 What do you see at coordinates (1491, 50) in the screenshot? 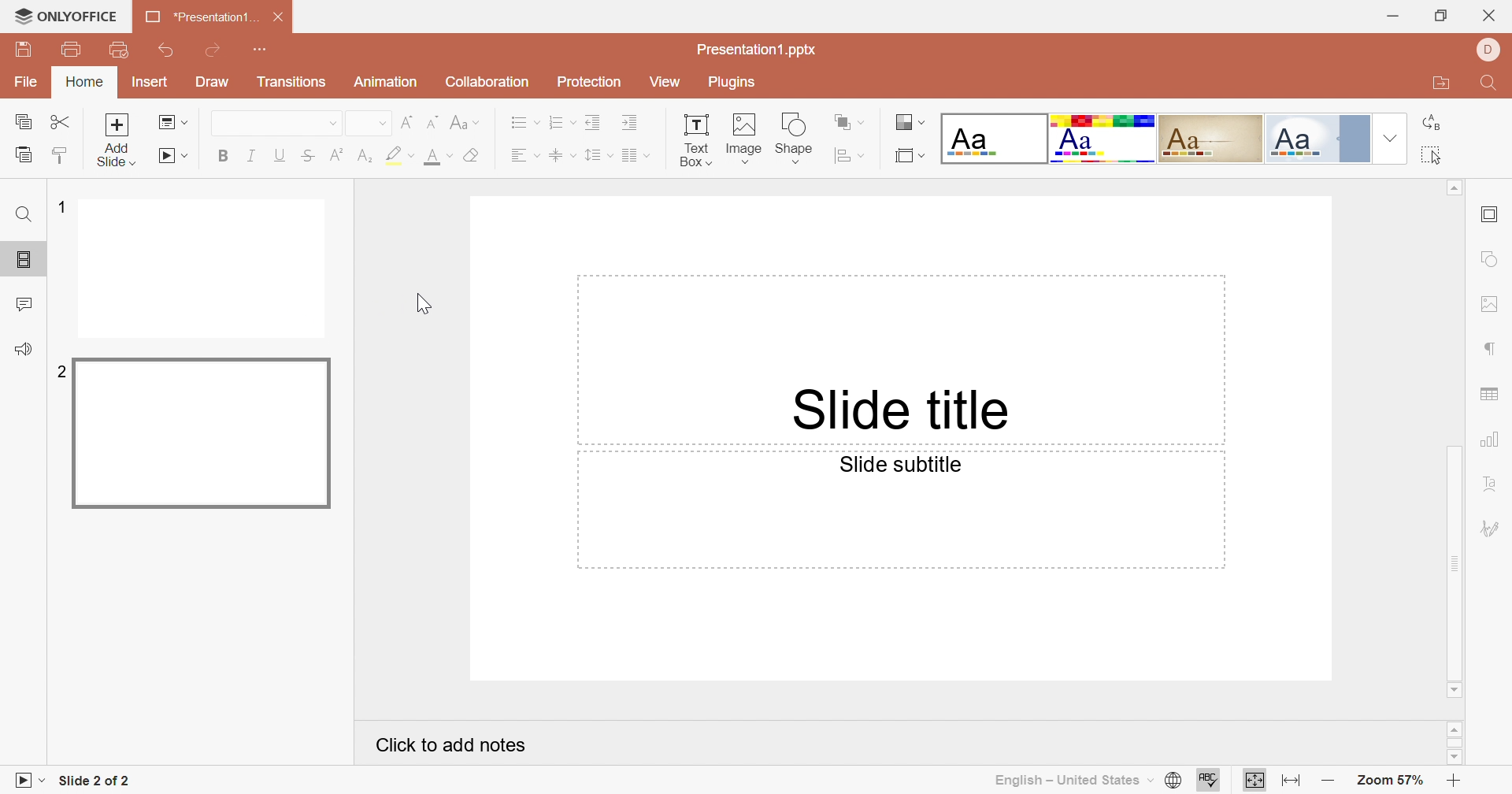
I see `DELL` at bounding box center [1491, 50].